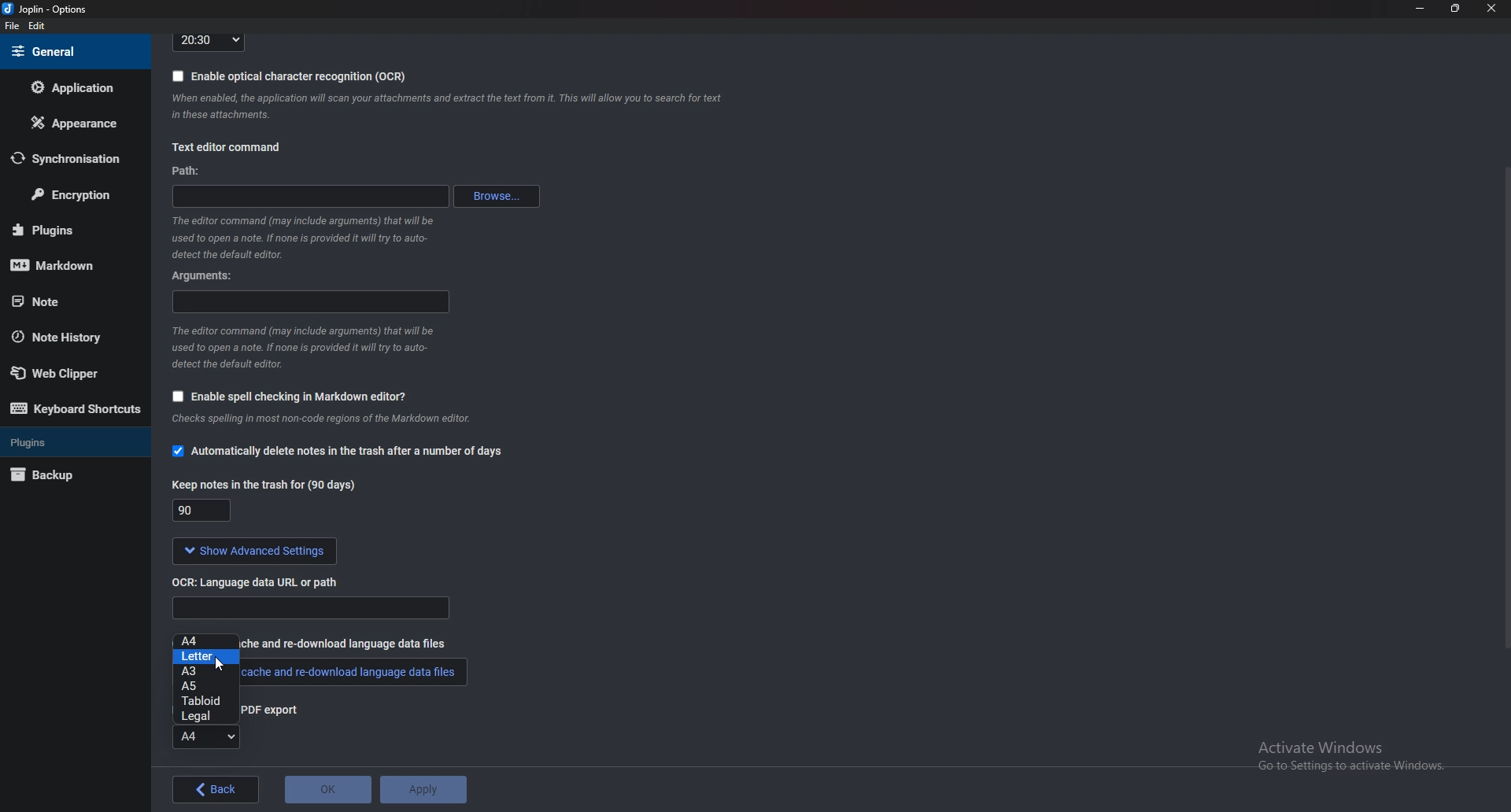  I want to click on Edit, so click(36, 27).